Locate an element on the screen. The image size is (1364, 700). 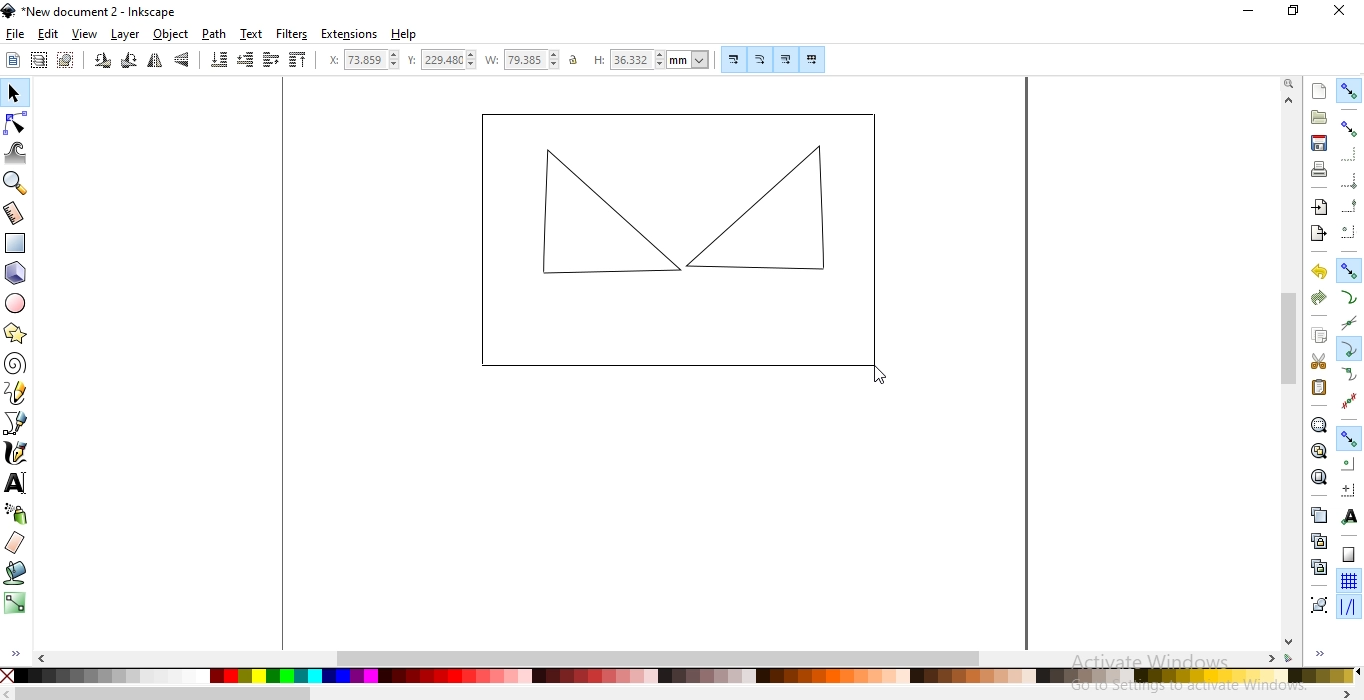
scrollbar is located at coordinates (1287, 372).